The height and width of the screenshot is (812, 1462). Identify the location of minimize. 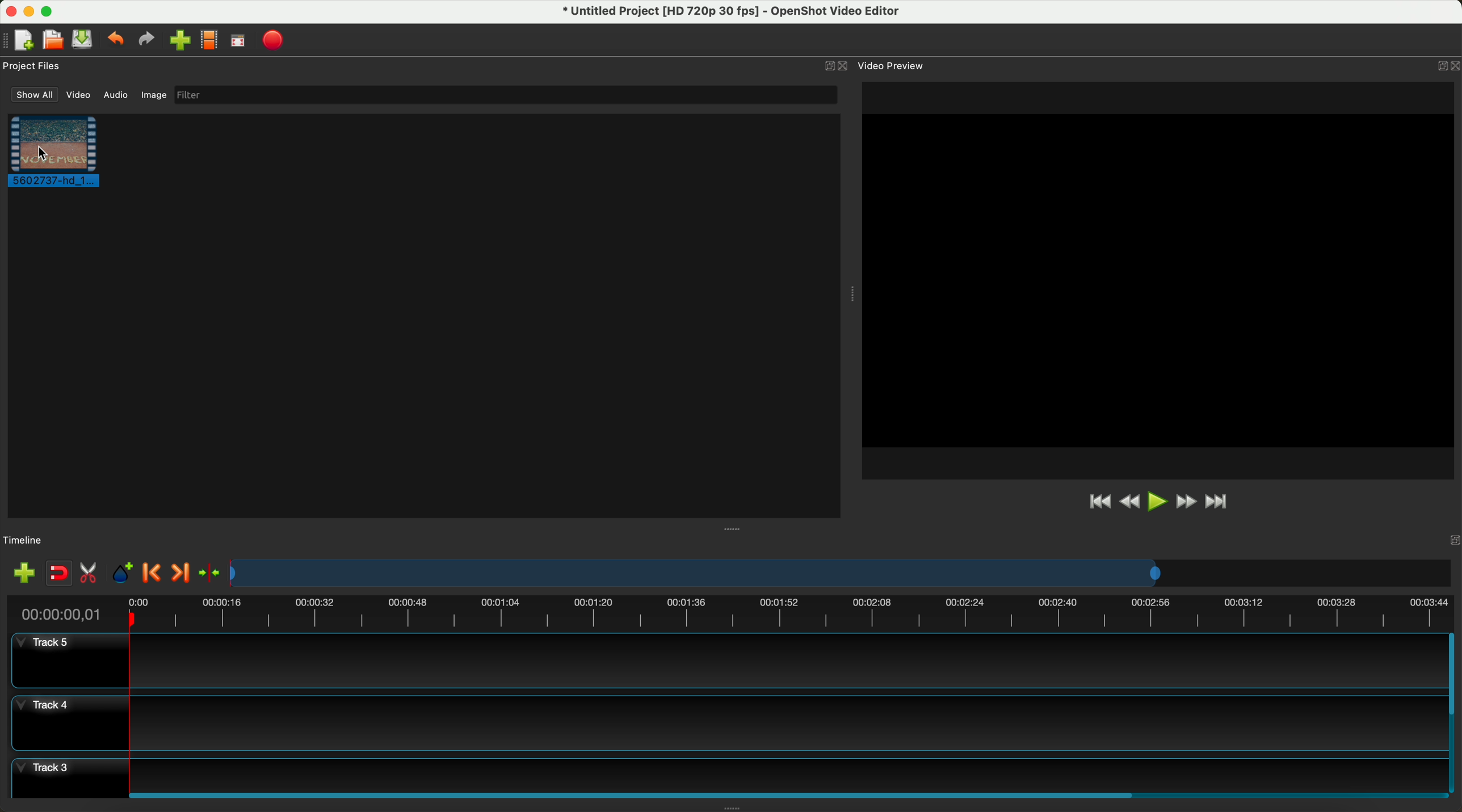
(827, 67).